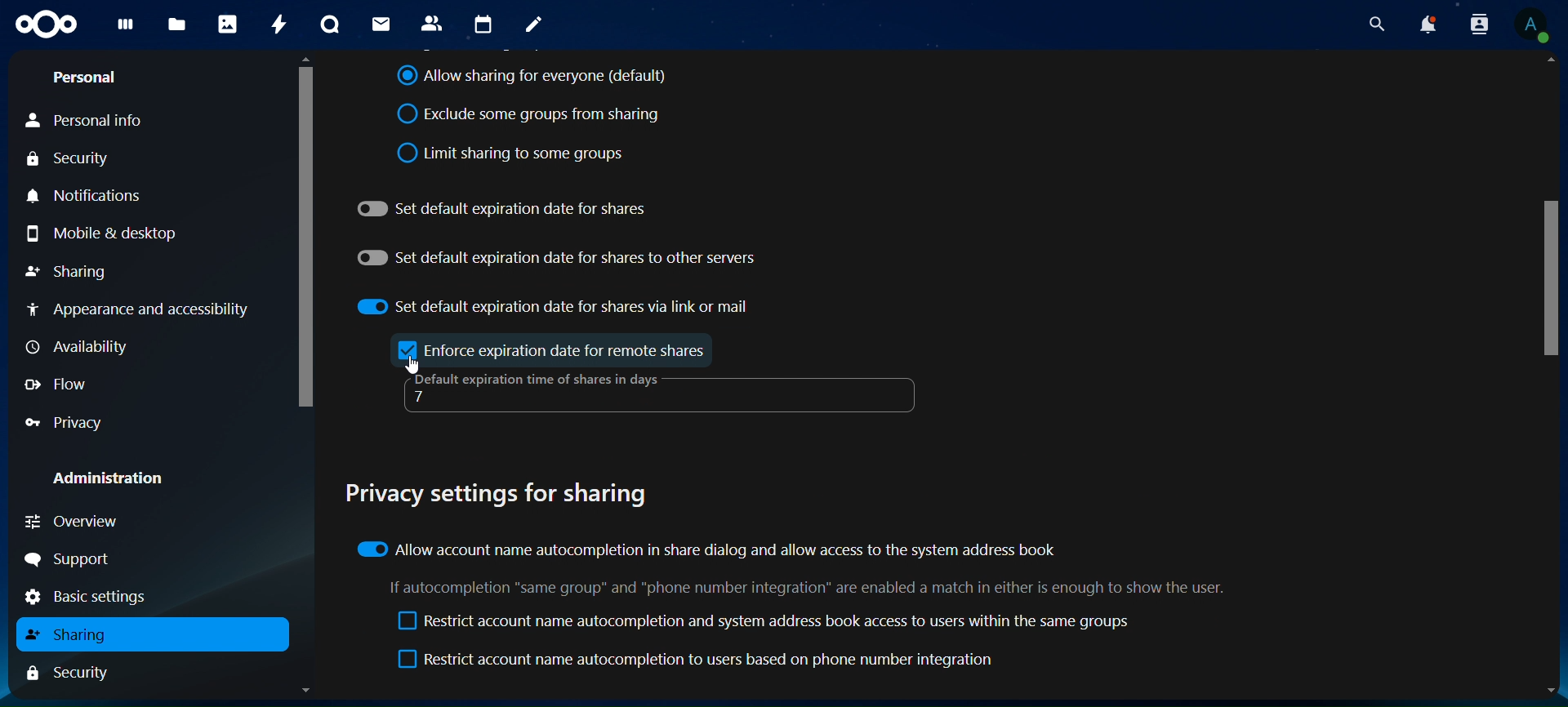 This screenshot has height=707, width=1568. I want to click on basic settings, so click(101, 596).